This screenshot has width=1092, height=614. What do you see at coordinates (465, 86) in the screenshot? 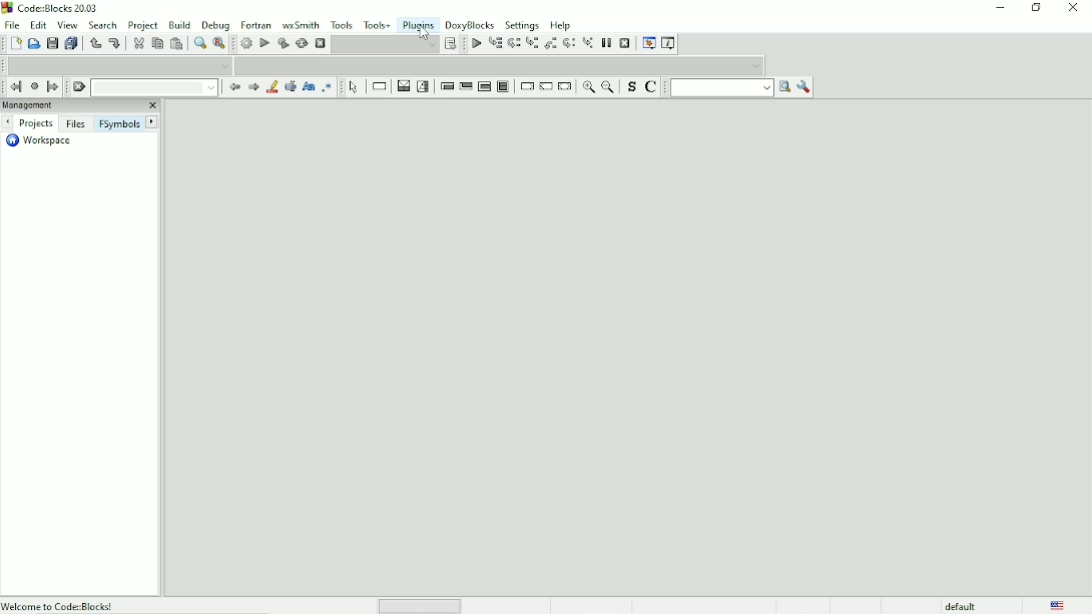
I see `Exit condition loop` at bounding box center [465, 86].